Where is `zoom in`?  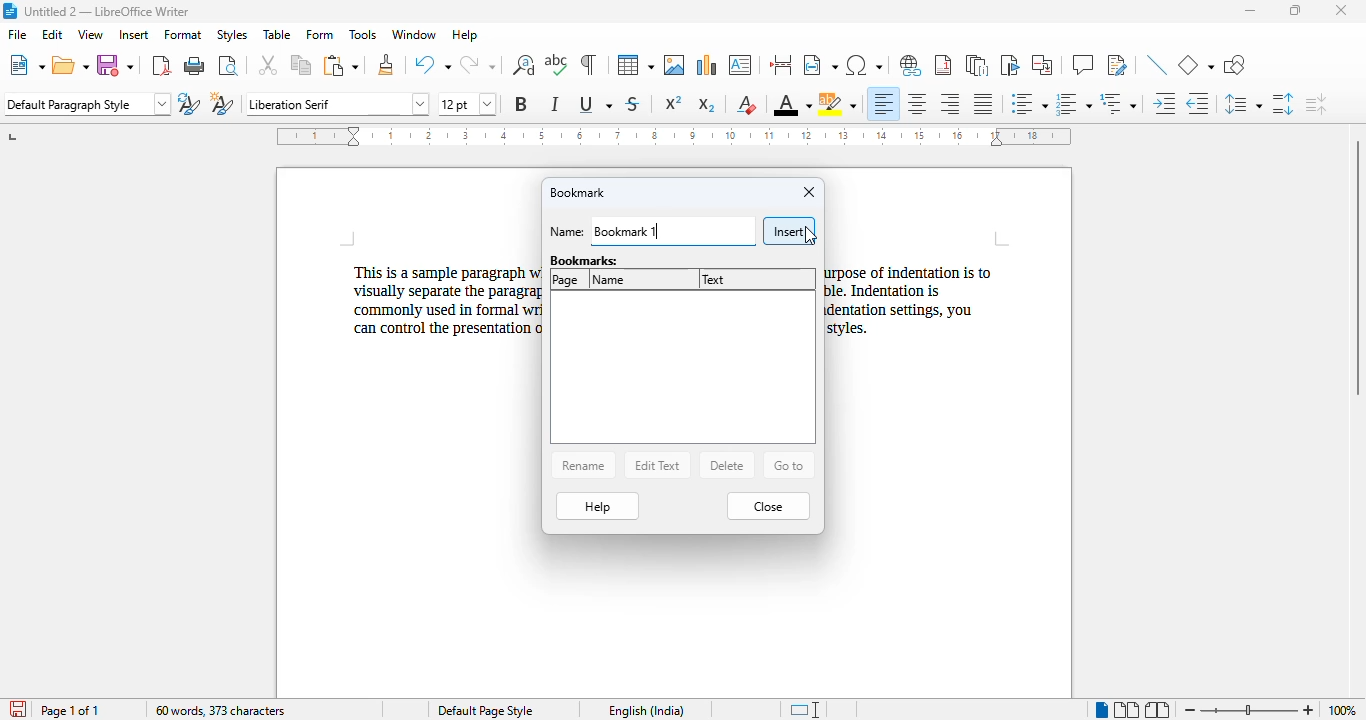 zoom in is located at coordinates (1309, 711).